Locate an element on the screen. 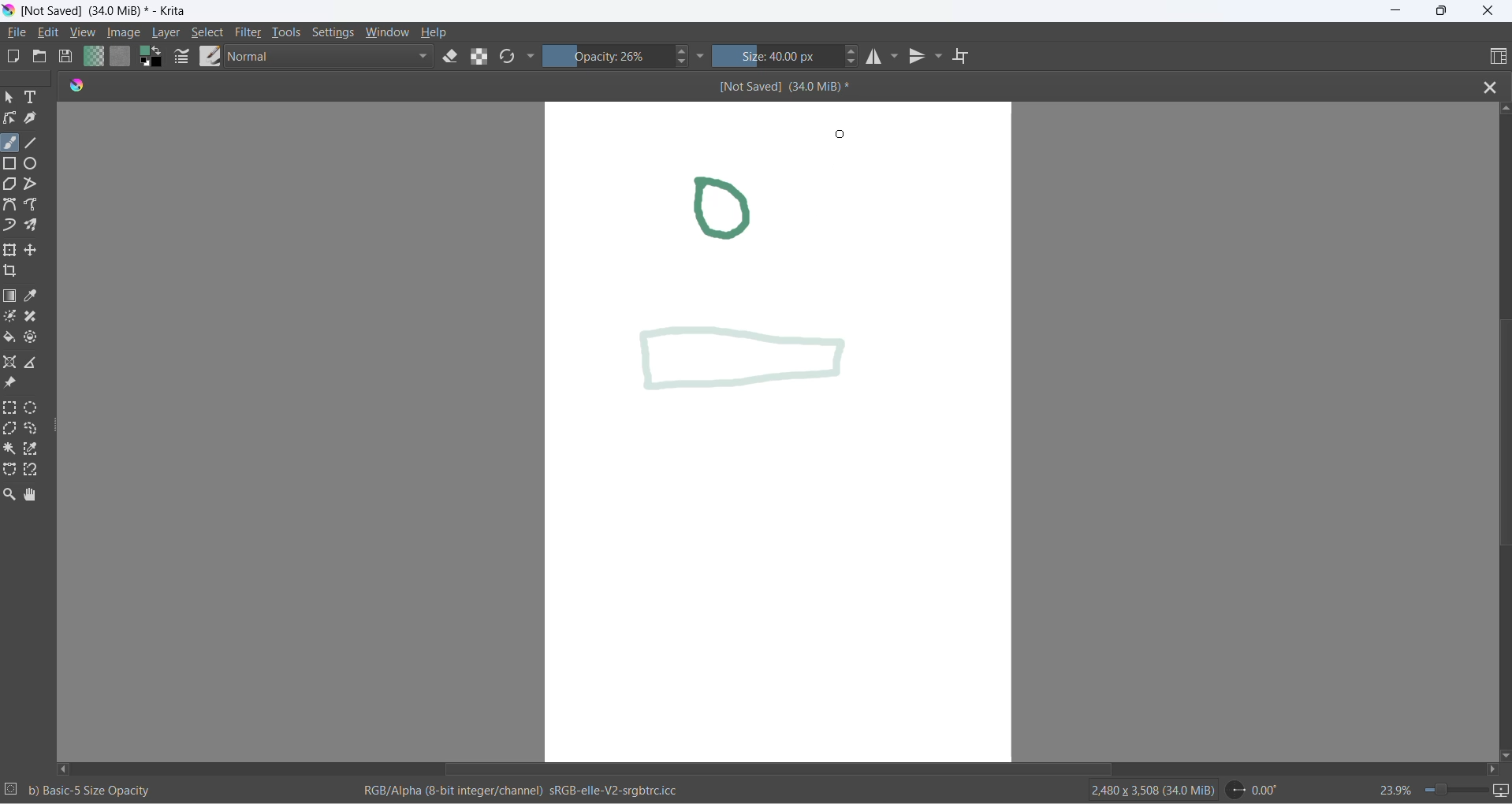 The image size is (1512, 804). scroll left button is located at coordinates (69, 765).